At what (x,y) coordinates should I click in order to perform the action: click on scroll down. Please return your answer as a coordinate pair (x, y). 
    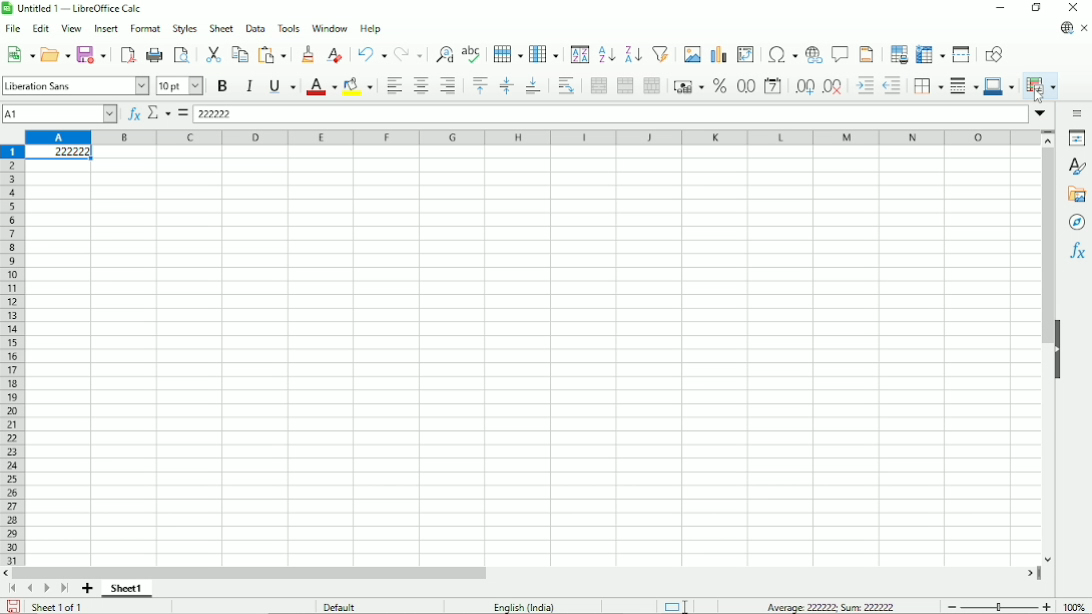
    Looking at the image, I should click on (1048, 559).